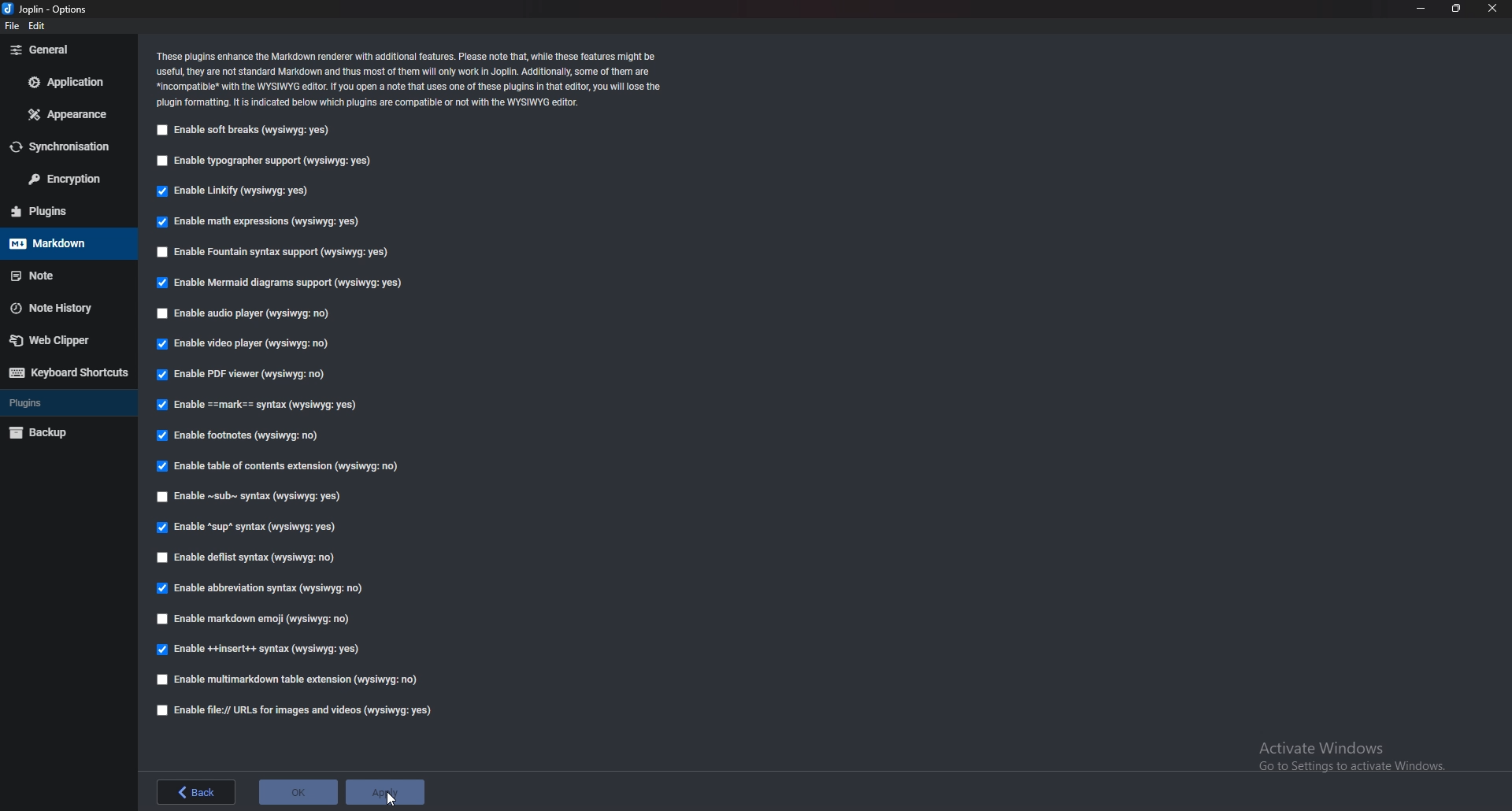  I want to click on enable mermaid diagram support, so click(280, 281).